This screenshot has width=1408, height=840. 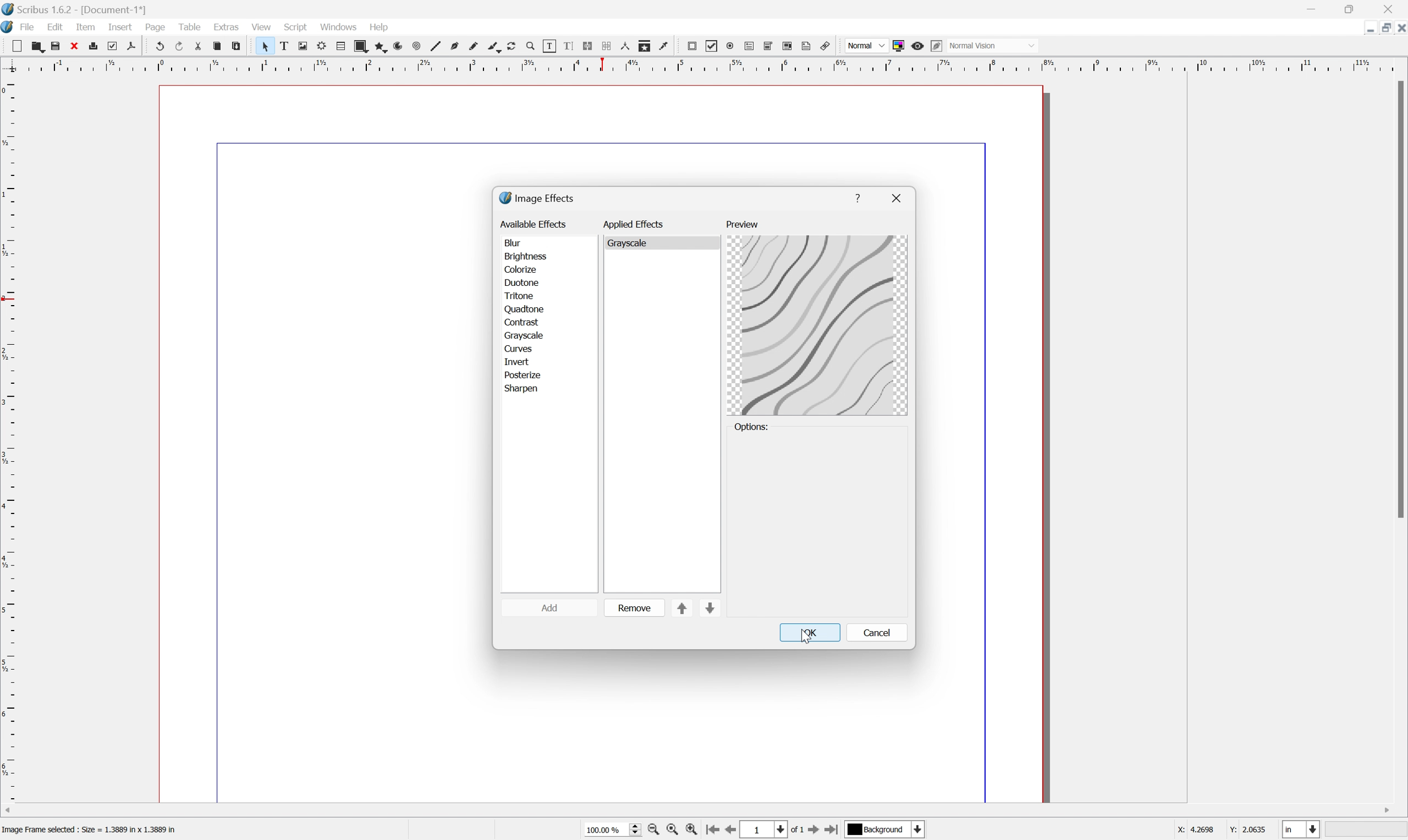 What do you see at coordinates (56, 27) in the screenshot?
I see `Edit` at bounding box center [56, 27].